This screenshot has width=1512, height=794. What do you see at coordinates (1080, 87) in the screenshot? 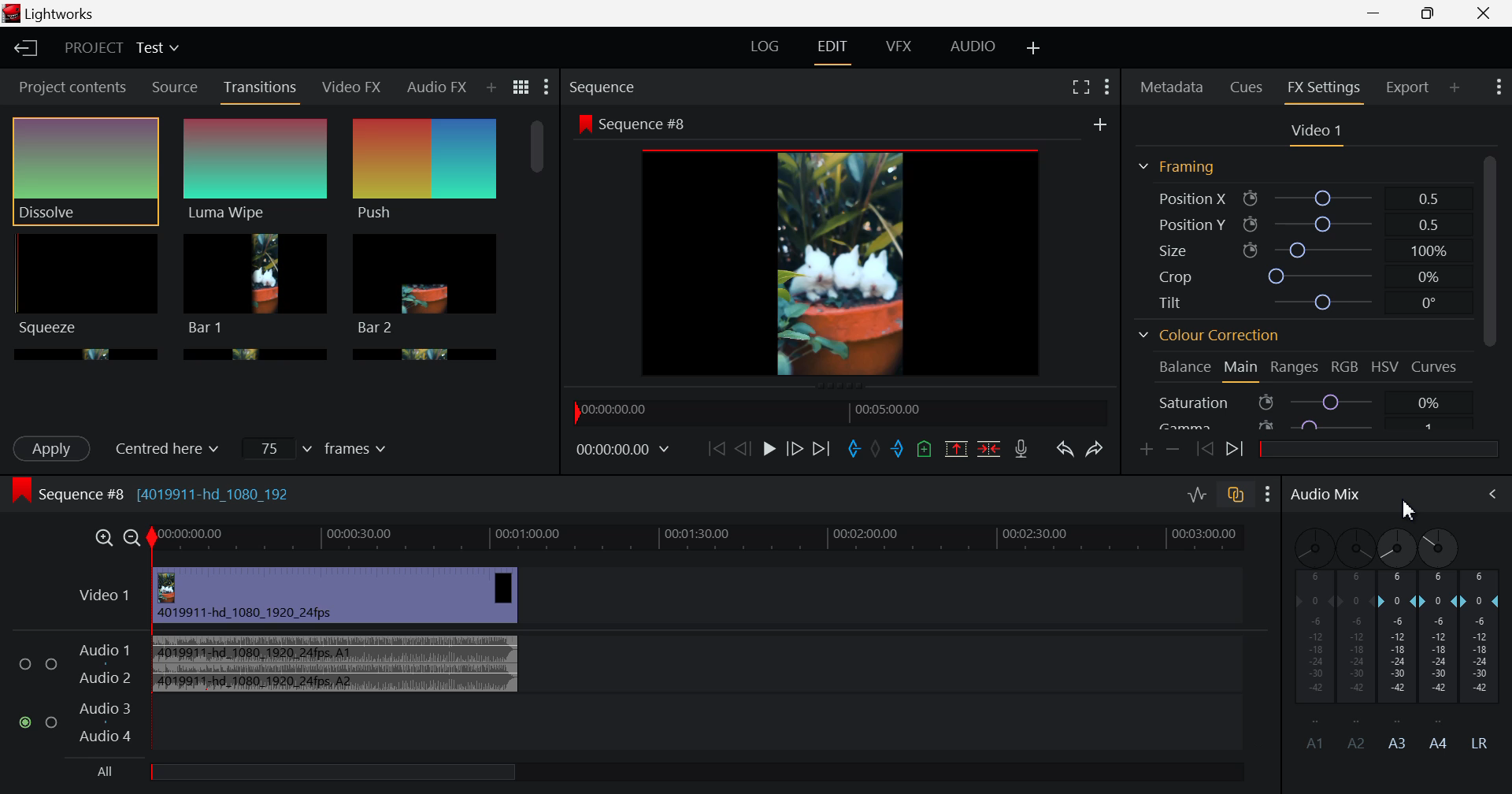
I see `Full Screen` at bounding box center [1080, 87].